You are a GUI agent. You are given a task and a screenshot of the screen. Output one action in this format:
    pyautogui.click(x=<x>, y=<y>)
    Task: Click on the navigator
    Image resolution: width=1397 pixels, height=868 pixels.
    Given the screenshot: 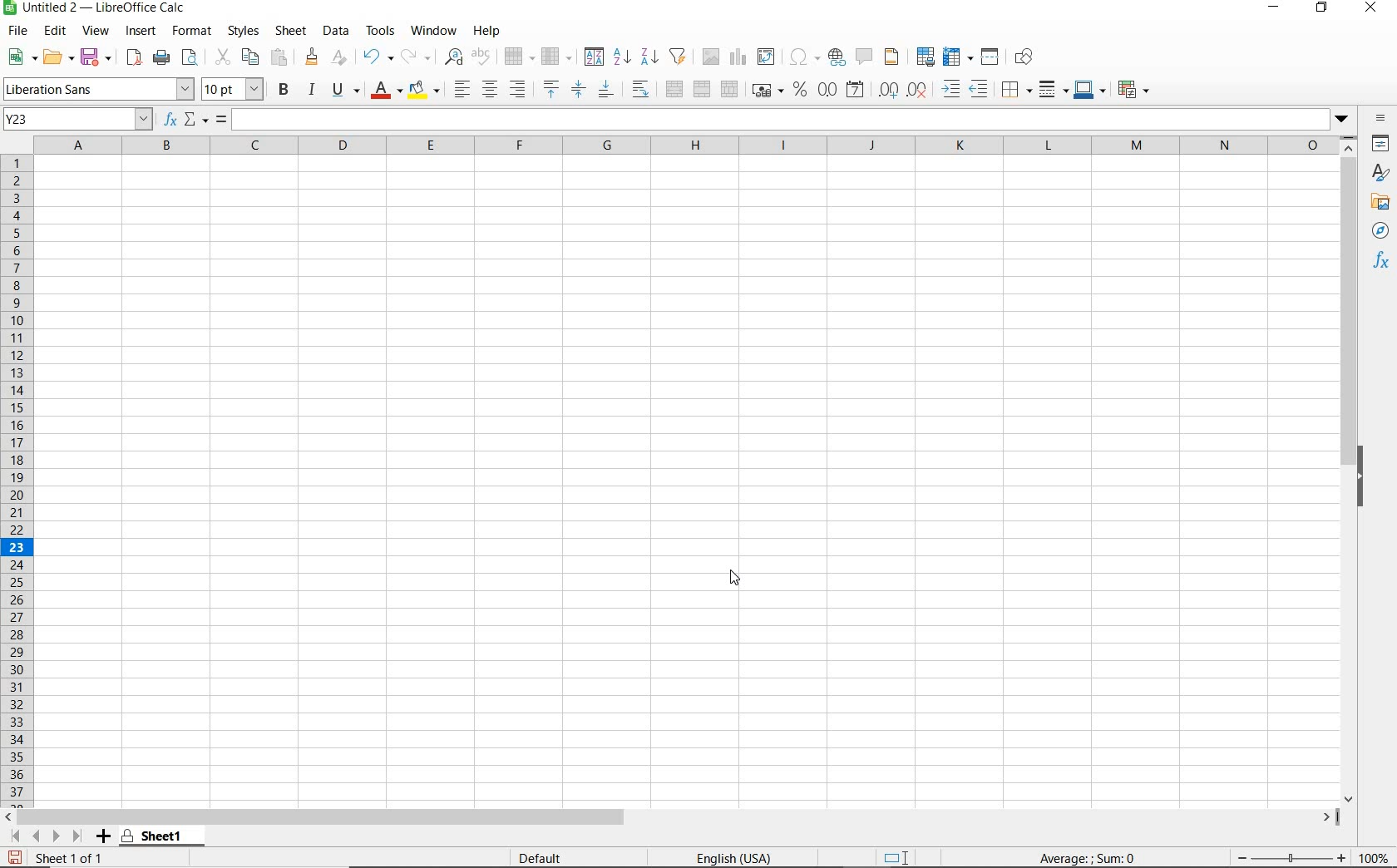 What is the action you would take?
    pyautogui.click(x=1382, y=229)
    